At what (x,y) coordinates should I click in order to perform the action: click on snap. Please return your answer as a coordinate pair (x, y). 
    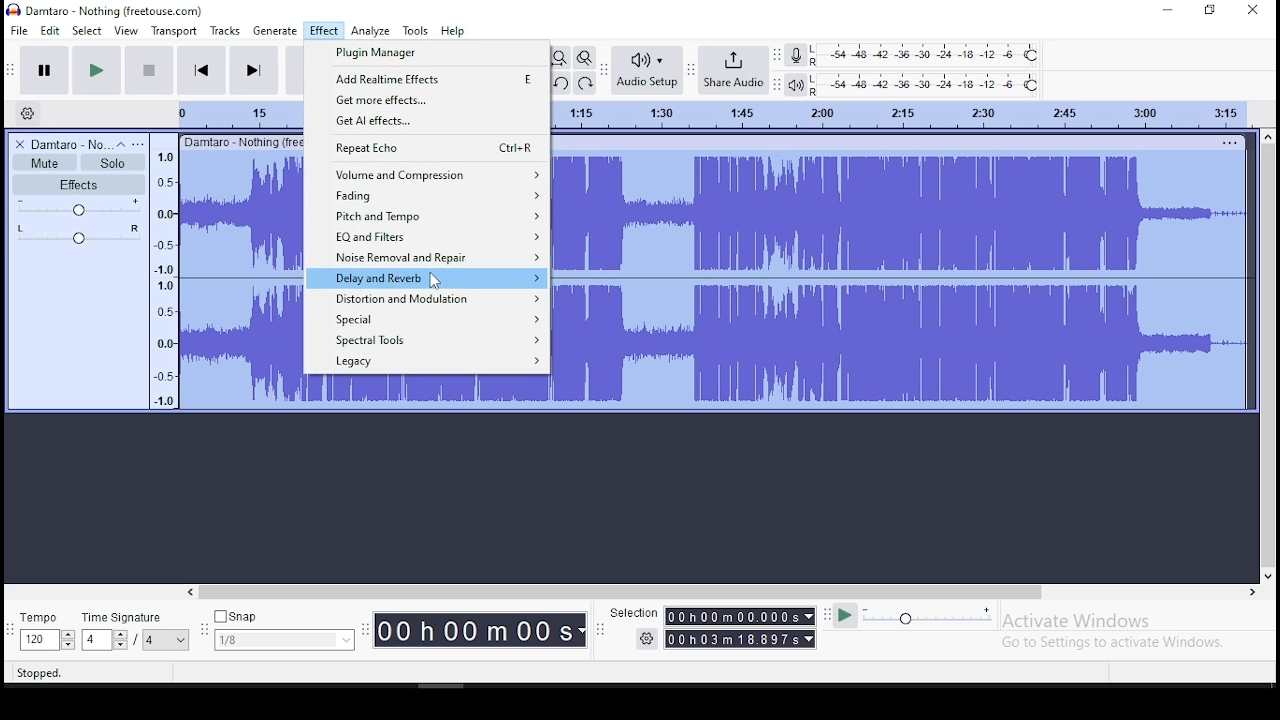
    Looking at the image, I should click on (285, 615).